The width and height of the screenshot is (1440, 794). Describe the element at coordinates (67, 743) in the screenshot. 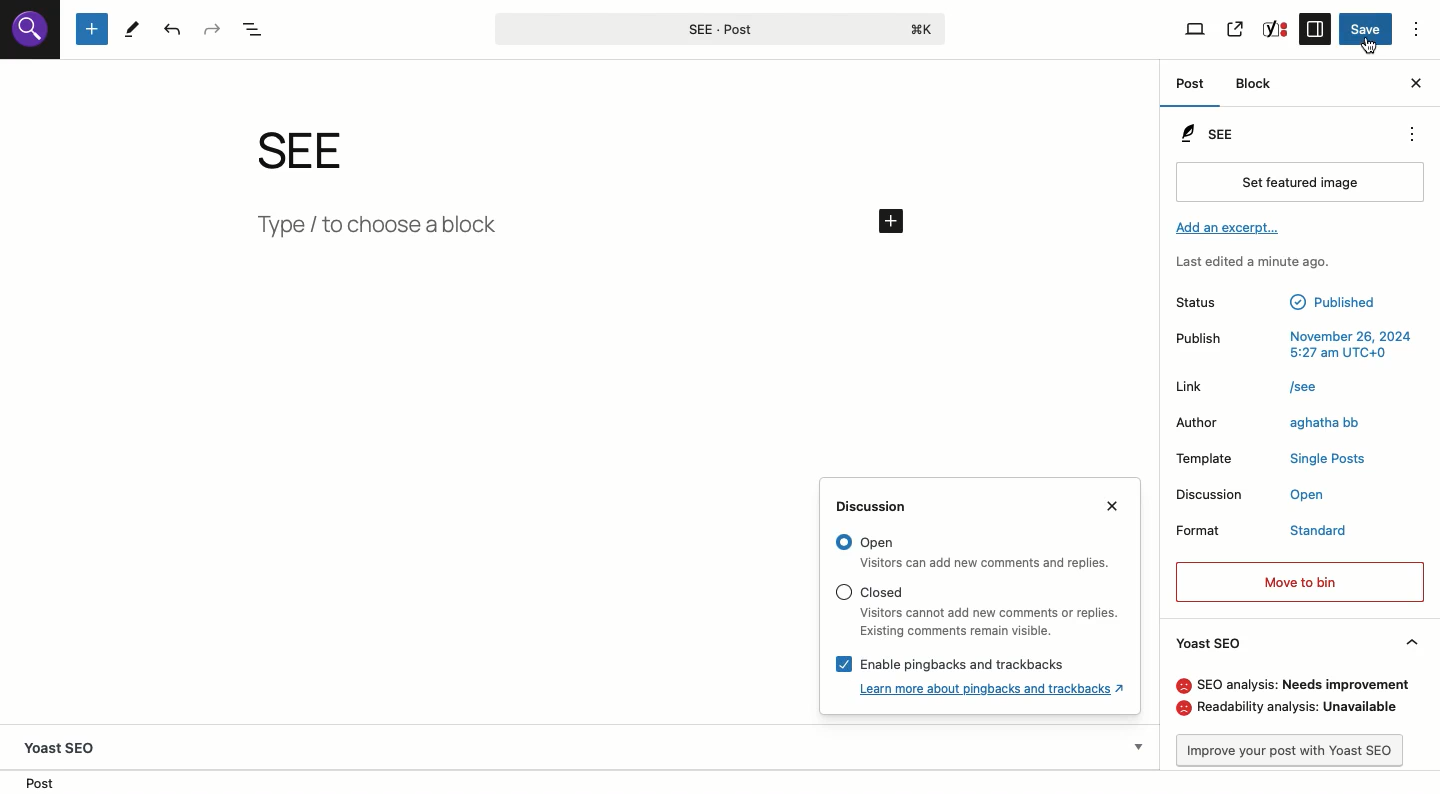

I see `Yoast SEO` at that location.